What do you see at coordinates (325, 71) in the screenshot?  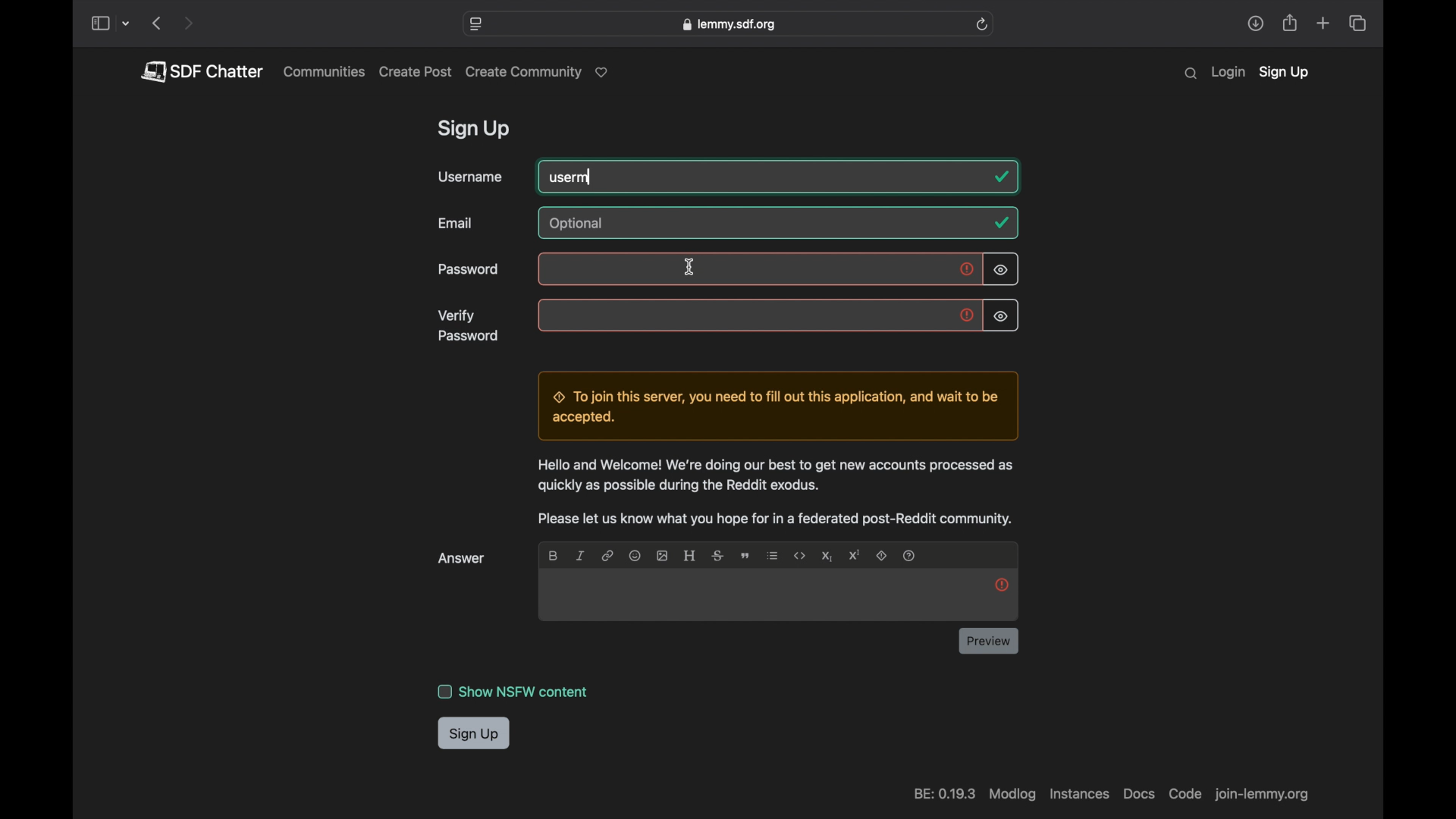 I see `communities` at bounding box center [325, 71].